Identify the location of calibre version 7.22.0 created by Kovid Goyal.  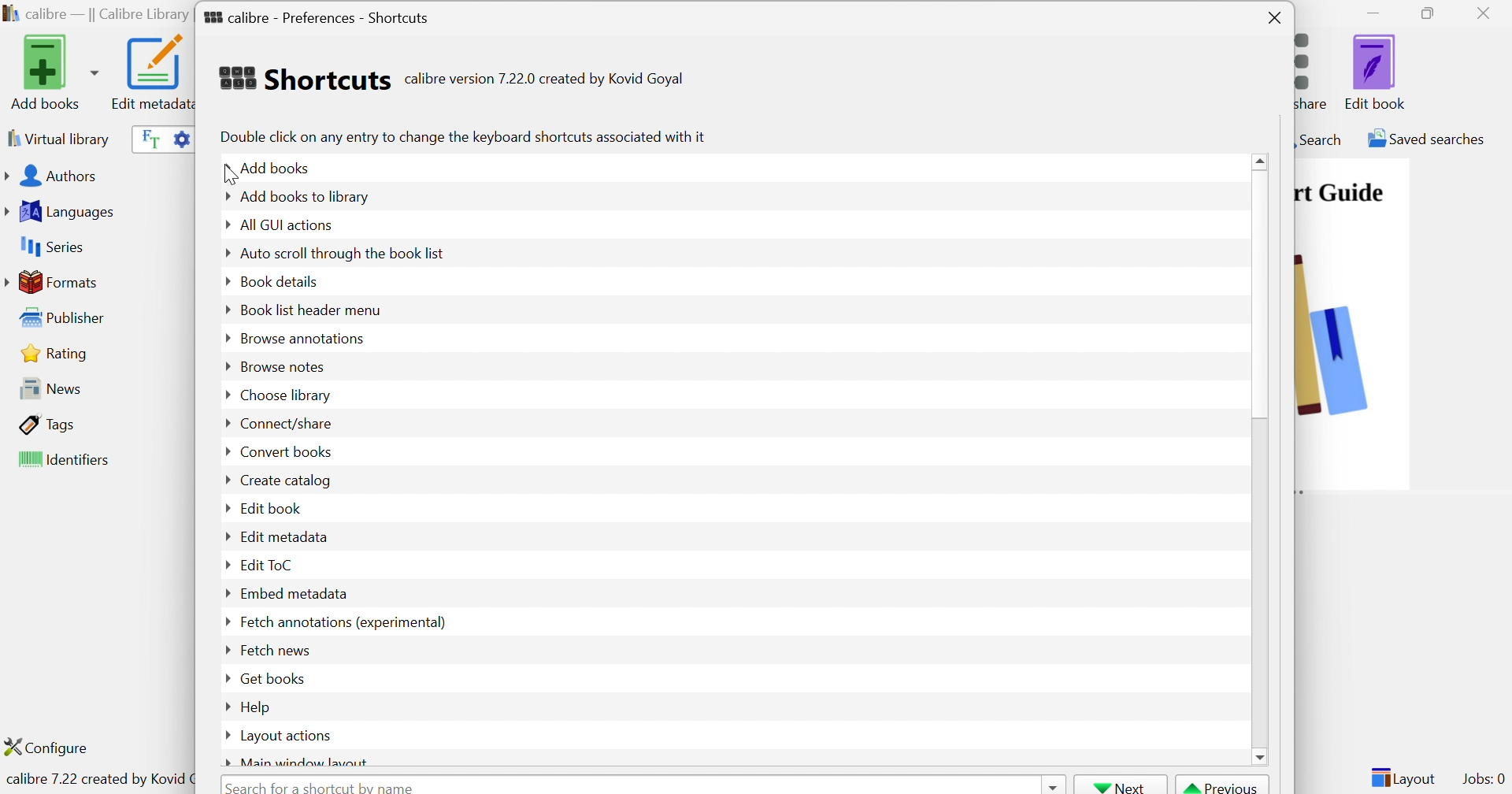
(544, 80).